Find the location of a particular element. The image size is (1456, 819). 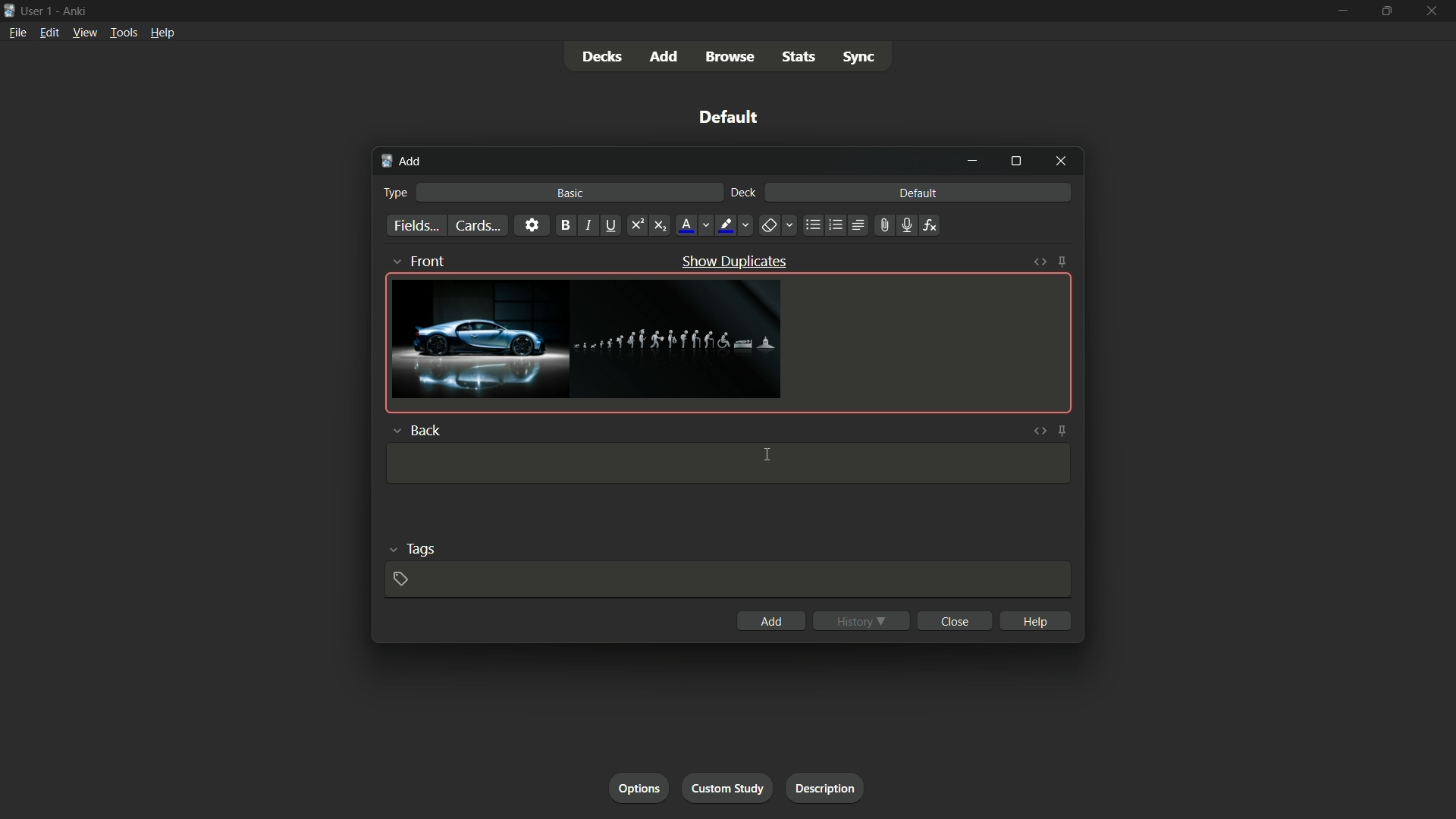

cursor is located at coordinates (767, 455).